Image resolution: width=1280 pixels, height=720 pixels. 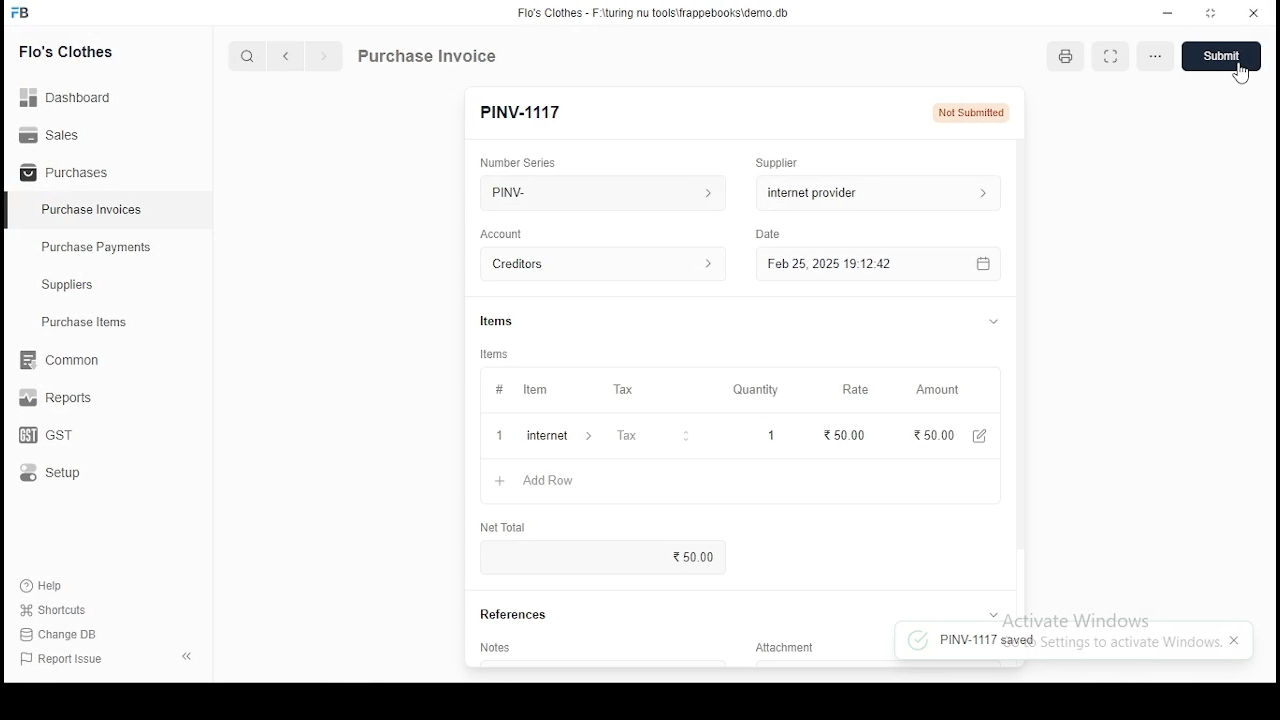 What do you see at coordinates (843, 434) in the screenshot?
I see `50.00` at bounding box center [843, 434].